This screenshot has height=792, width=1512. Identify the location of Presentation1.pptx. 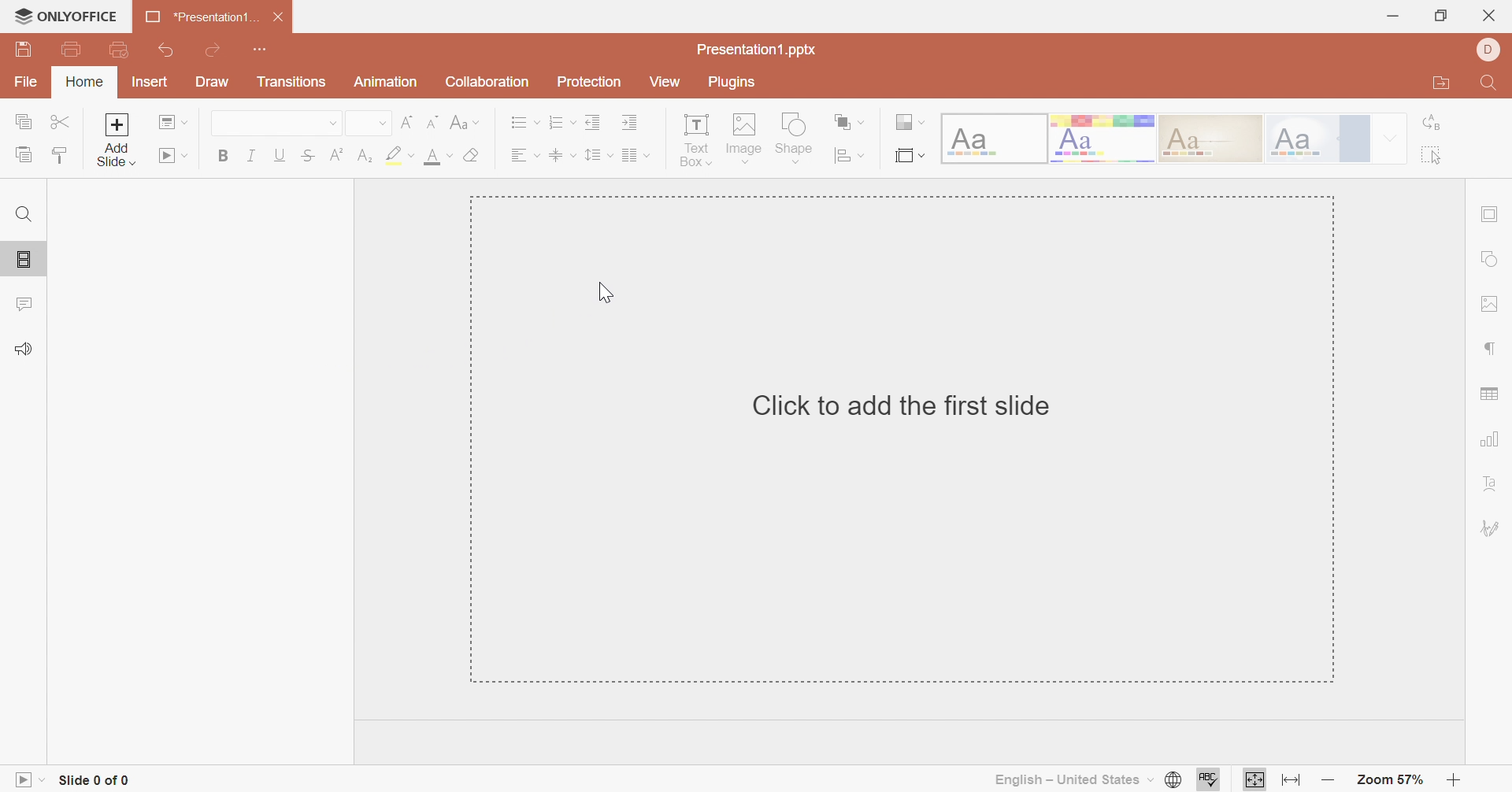
(755, 48).